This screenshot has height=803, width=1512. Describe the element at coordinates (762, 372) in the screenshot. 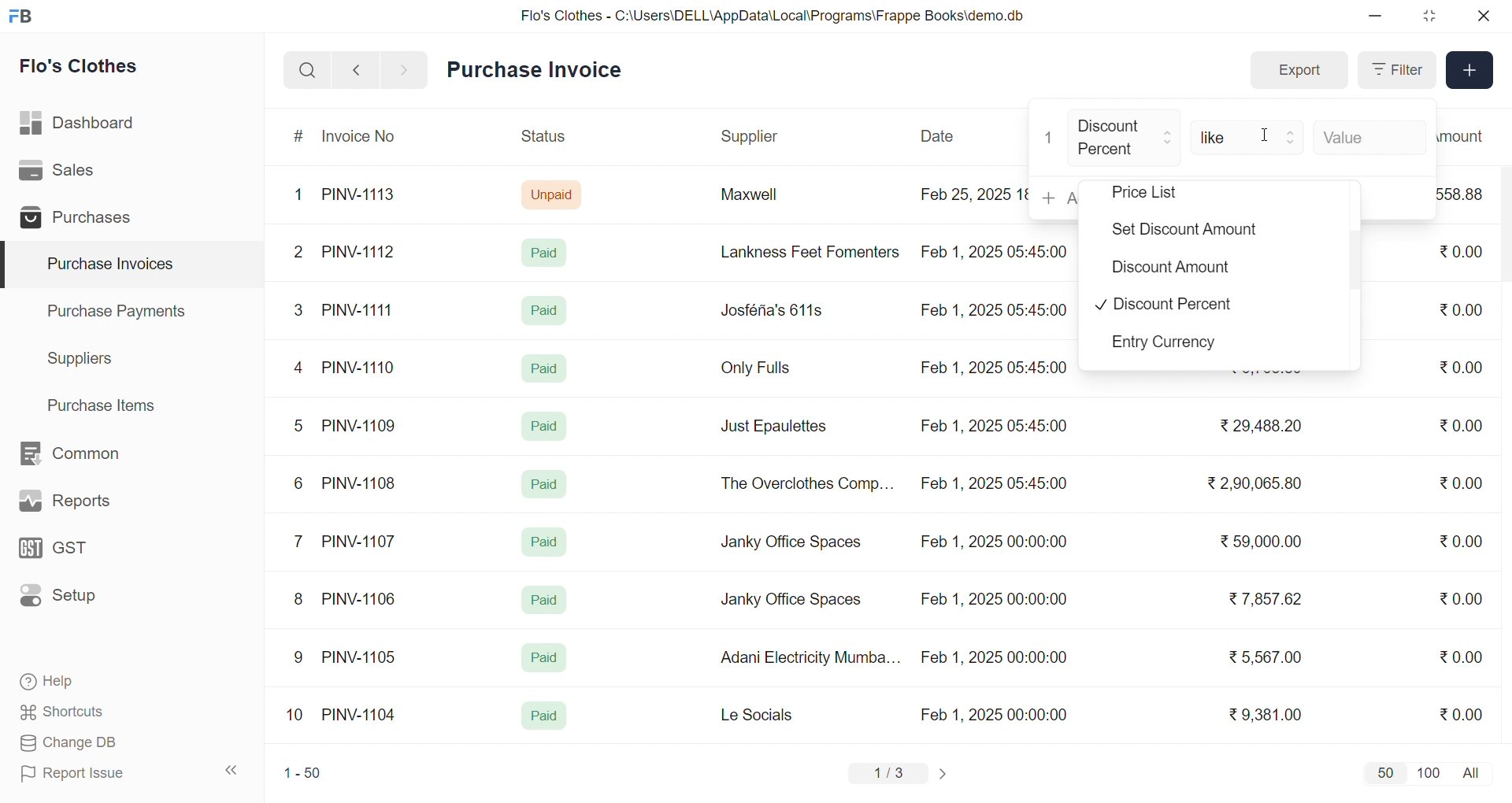

I see `Only Fulls` at that location.